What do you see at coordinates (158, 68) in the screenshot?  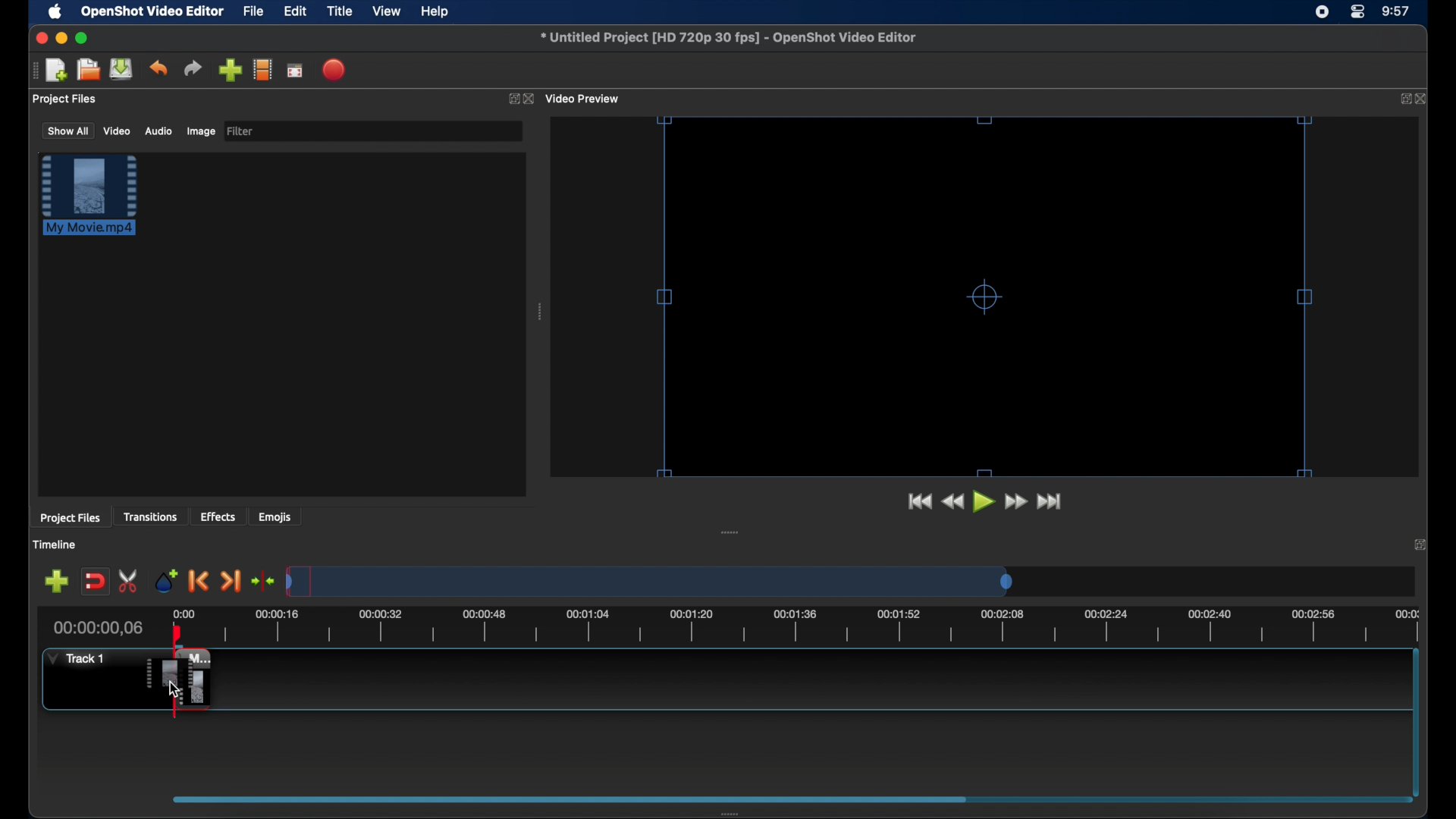 I see `undo` at bounding box center [158, 68].